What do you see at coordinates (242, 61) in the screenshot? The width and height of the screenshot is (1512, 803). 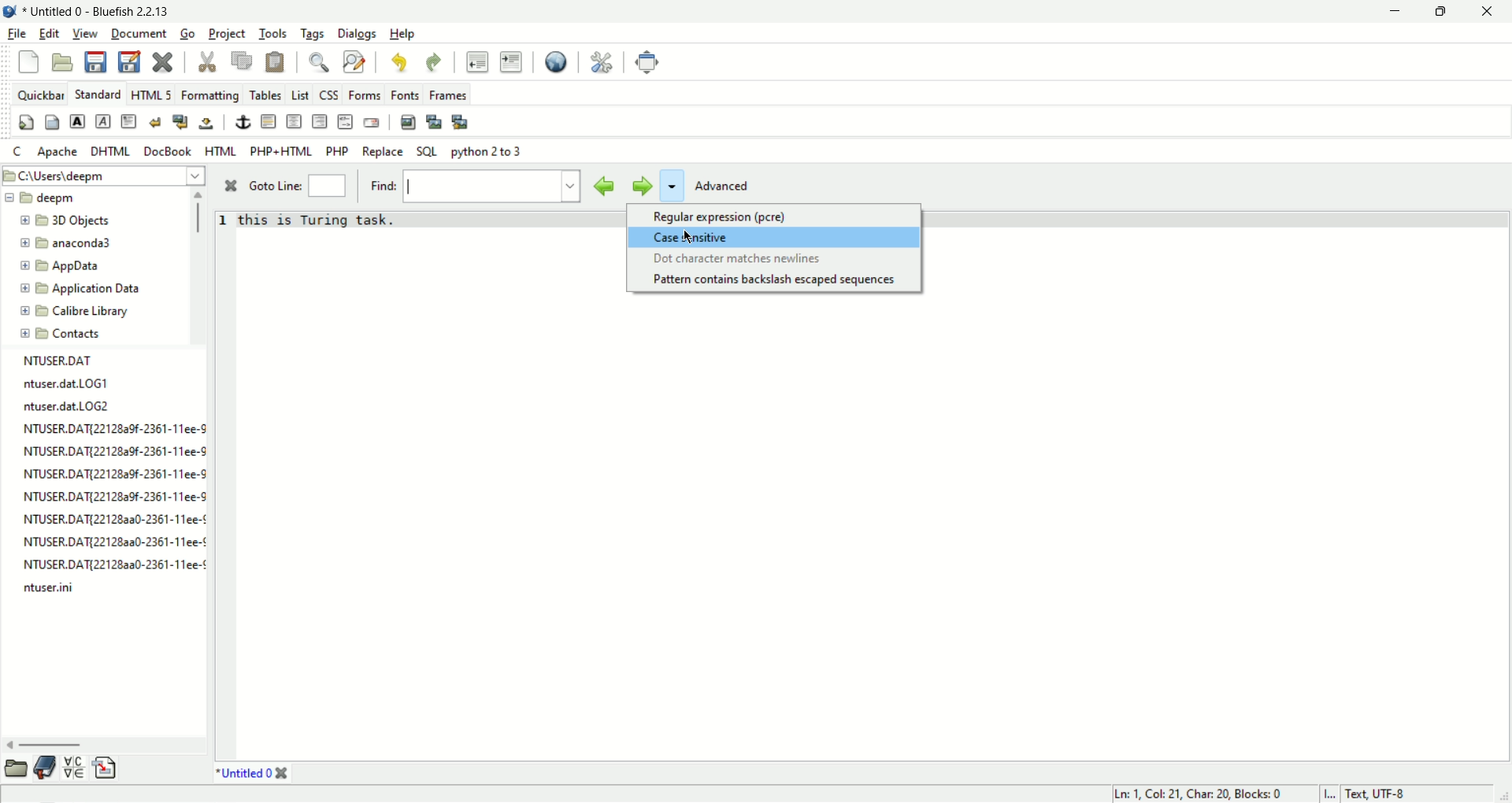 I see `copy` at bounding box center [242, 61].